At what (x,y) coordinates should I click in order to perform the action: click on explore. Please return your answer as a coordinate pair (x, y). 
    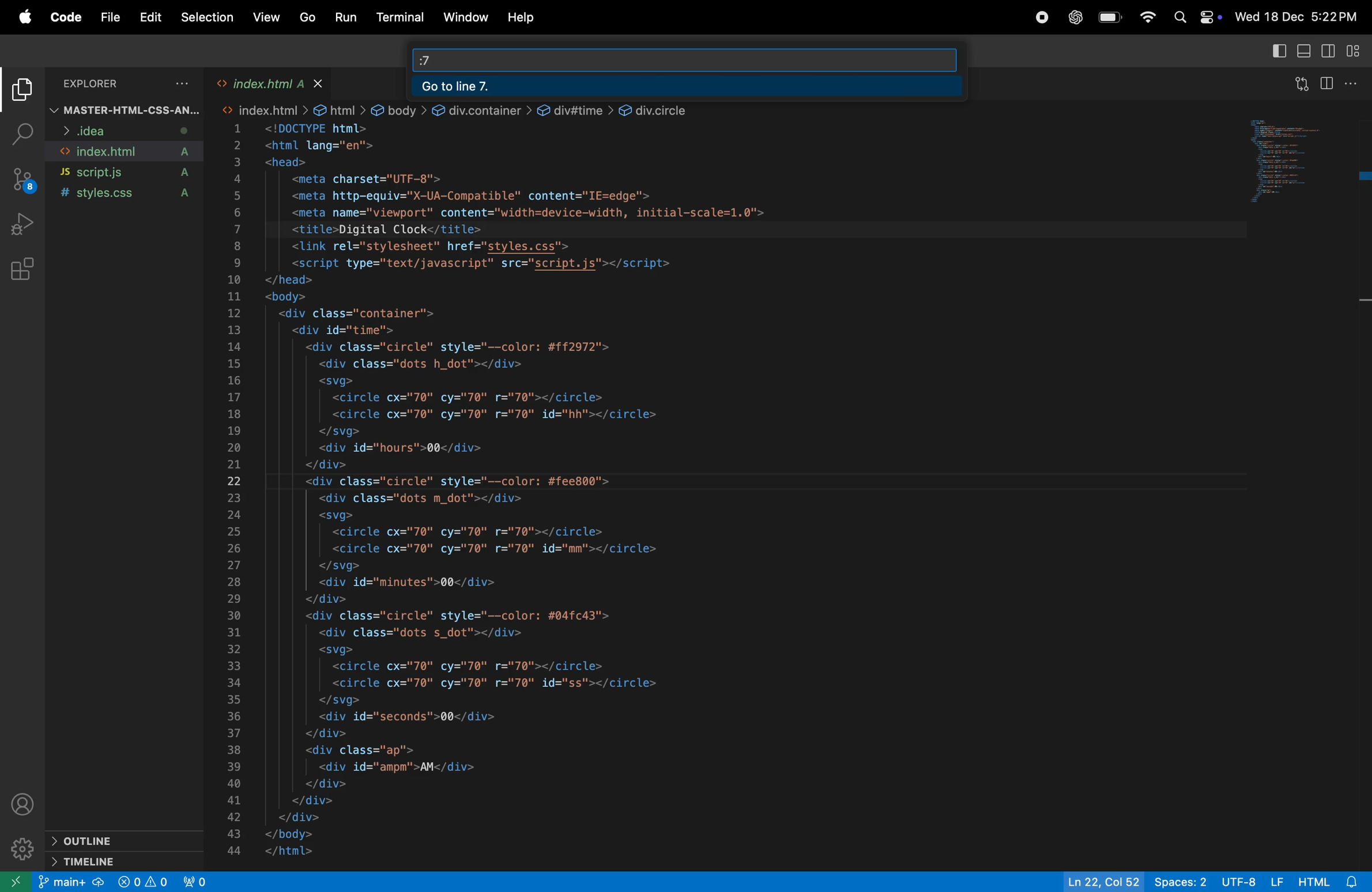
    Looking at the image, I should click on (24, 93).